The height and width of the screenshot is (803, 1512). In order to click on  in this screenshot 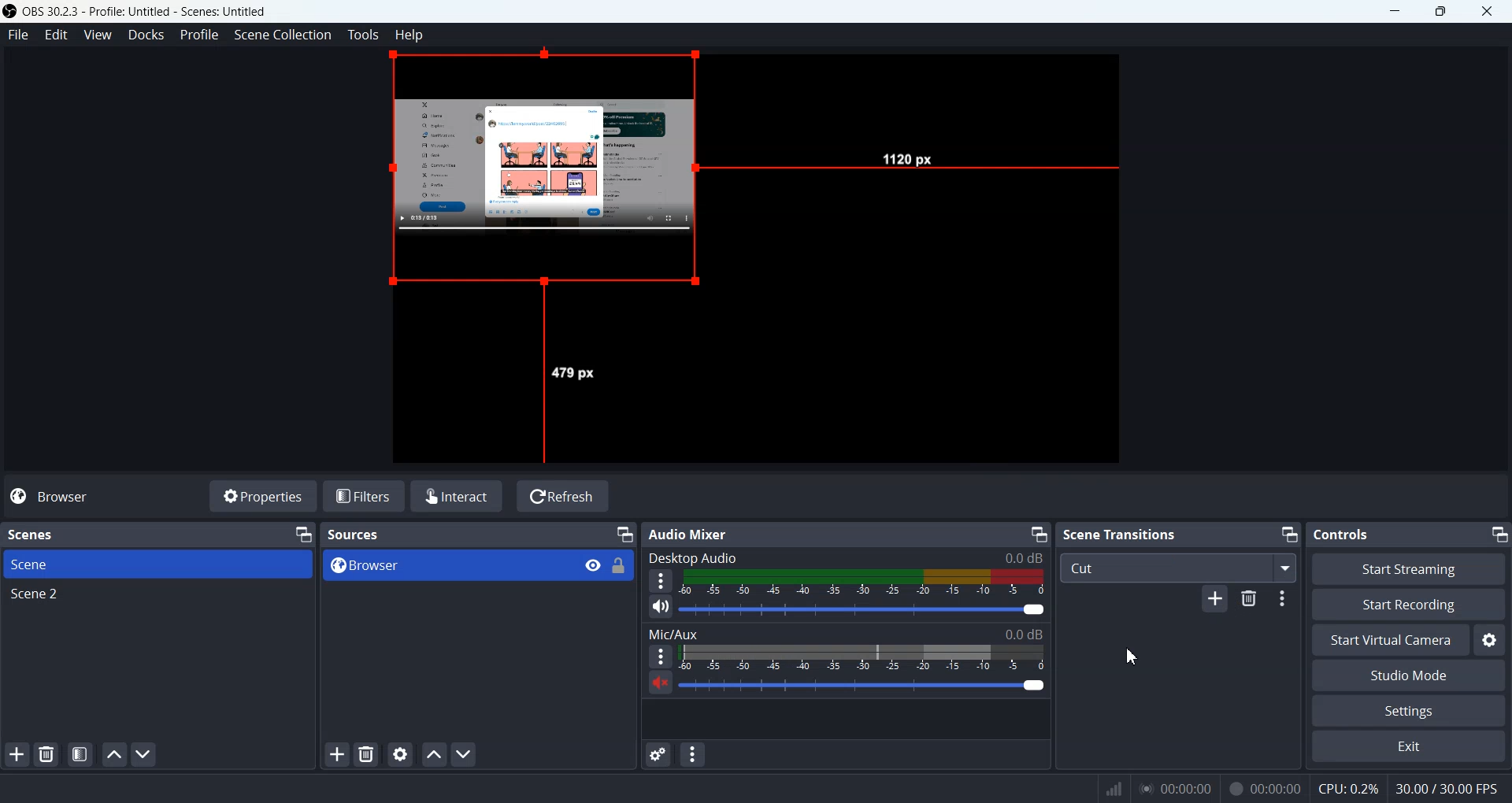, I will do `click(1348, 789)`.